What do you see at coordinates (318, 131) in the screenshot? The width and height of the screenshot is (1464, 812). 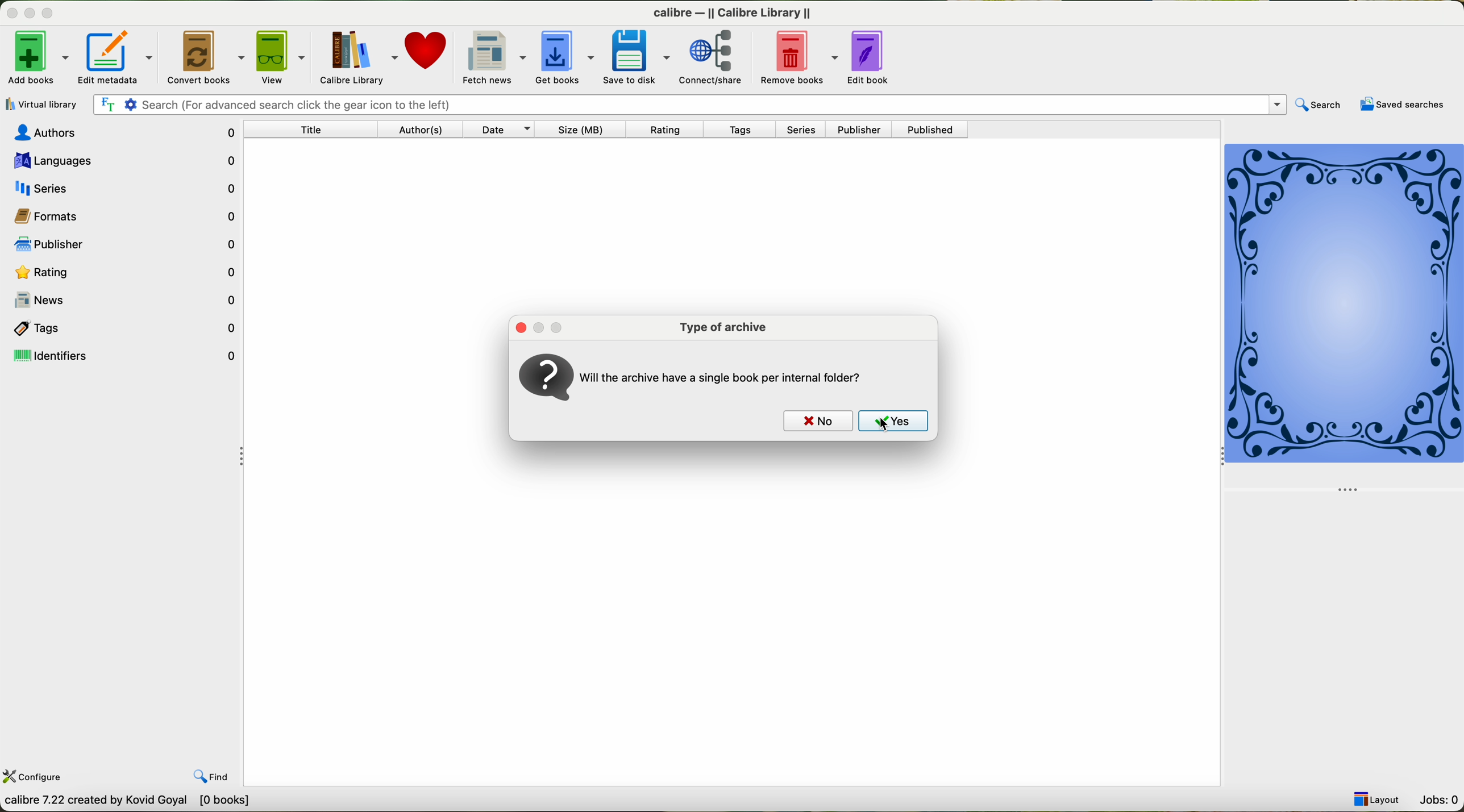 I see `title` at bounding box center [318, 131].